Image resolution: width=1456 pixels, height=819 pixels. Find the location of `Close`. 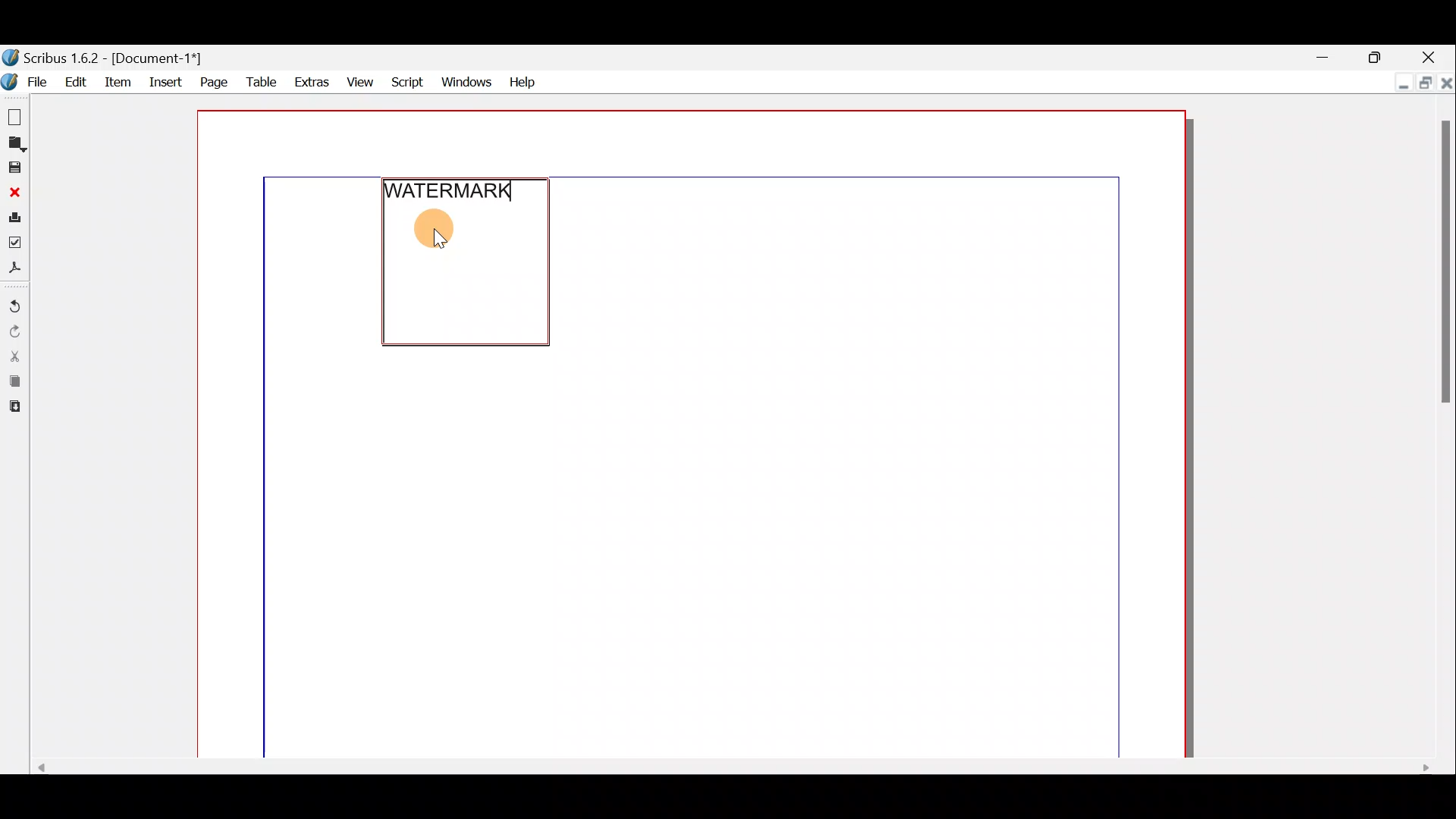

Close is located at coordinates (14, 193).